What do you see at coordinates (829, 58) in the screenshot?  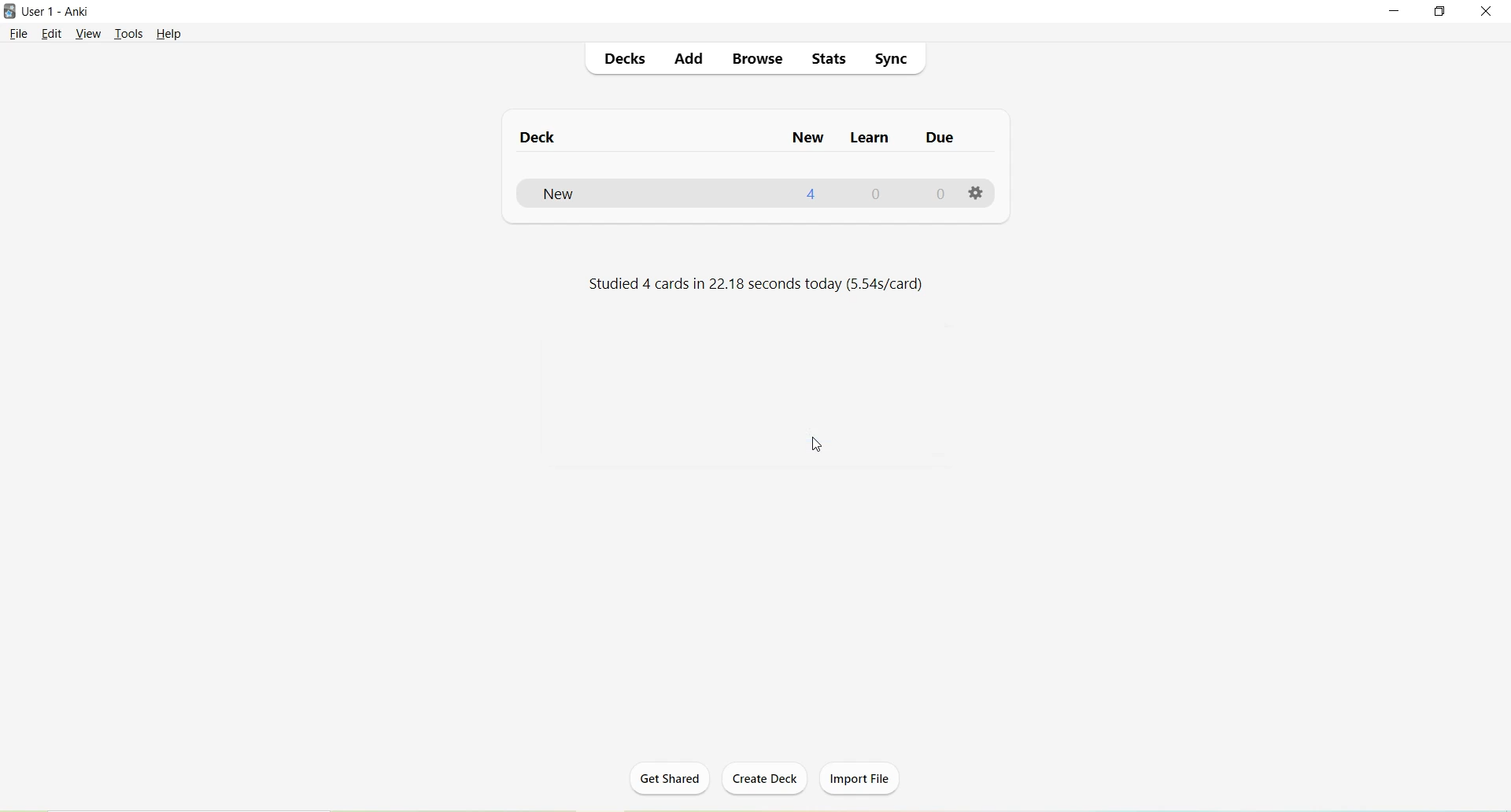 I see `Stats` at bounding box center [829, 58].